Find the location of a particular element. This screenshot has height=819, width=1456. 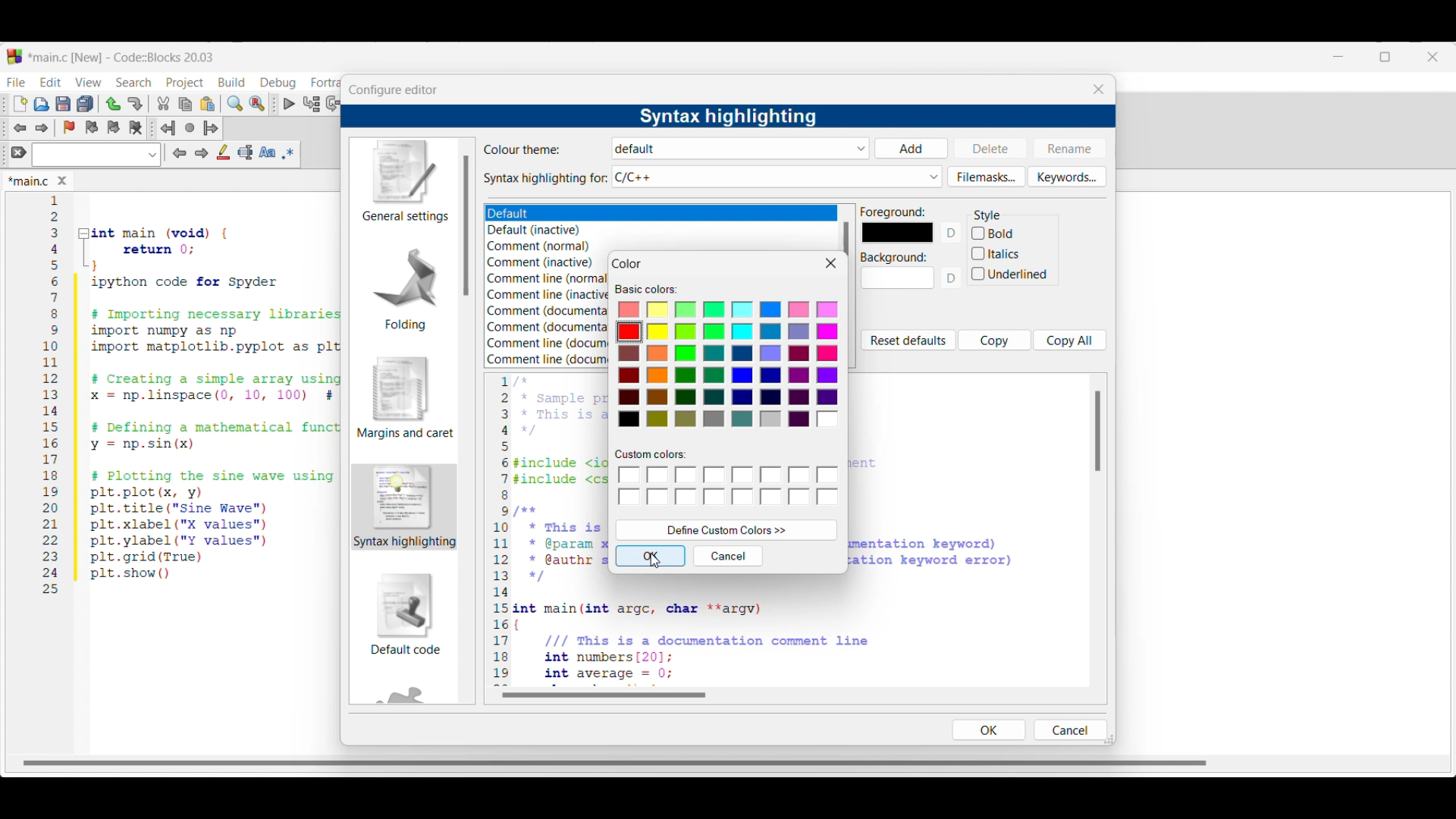

Settings title changed is located at coordinates (727, 117).